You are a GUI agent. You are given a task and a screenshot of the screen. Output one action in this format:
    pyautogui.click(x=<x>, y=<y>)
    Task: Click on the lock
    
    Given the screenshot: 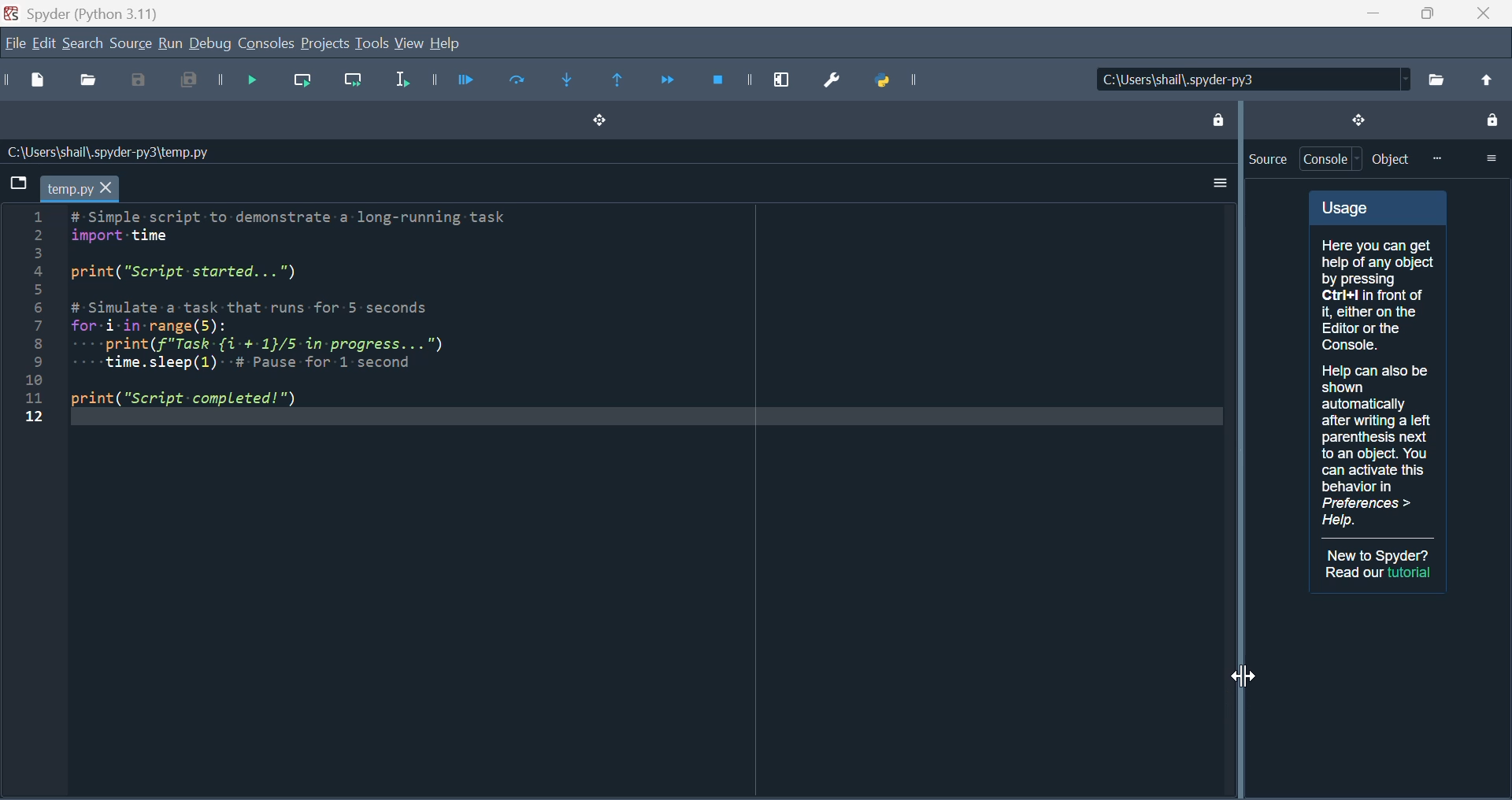 What is the action you would take?
    pyautogui.click(x=1217, y=117)
    